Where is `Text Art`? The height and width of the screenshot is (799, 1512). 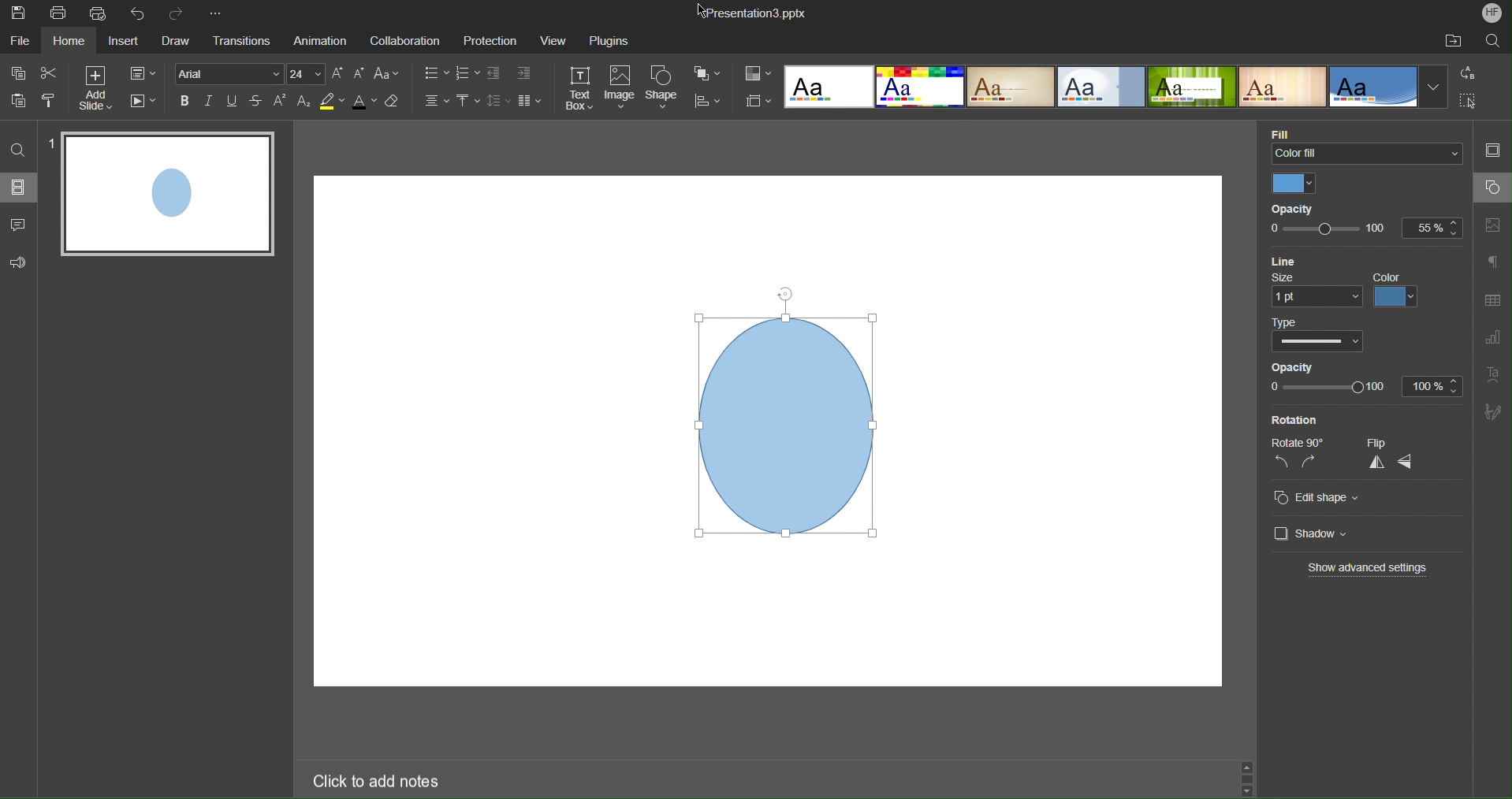 Text Art is located at coordinates (1494, 376).